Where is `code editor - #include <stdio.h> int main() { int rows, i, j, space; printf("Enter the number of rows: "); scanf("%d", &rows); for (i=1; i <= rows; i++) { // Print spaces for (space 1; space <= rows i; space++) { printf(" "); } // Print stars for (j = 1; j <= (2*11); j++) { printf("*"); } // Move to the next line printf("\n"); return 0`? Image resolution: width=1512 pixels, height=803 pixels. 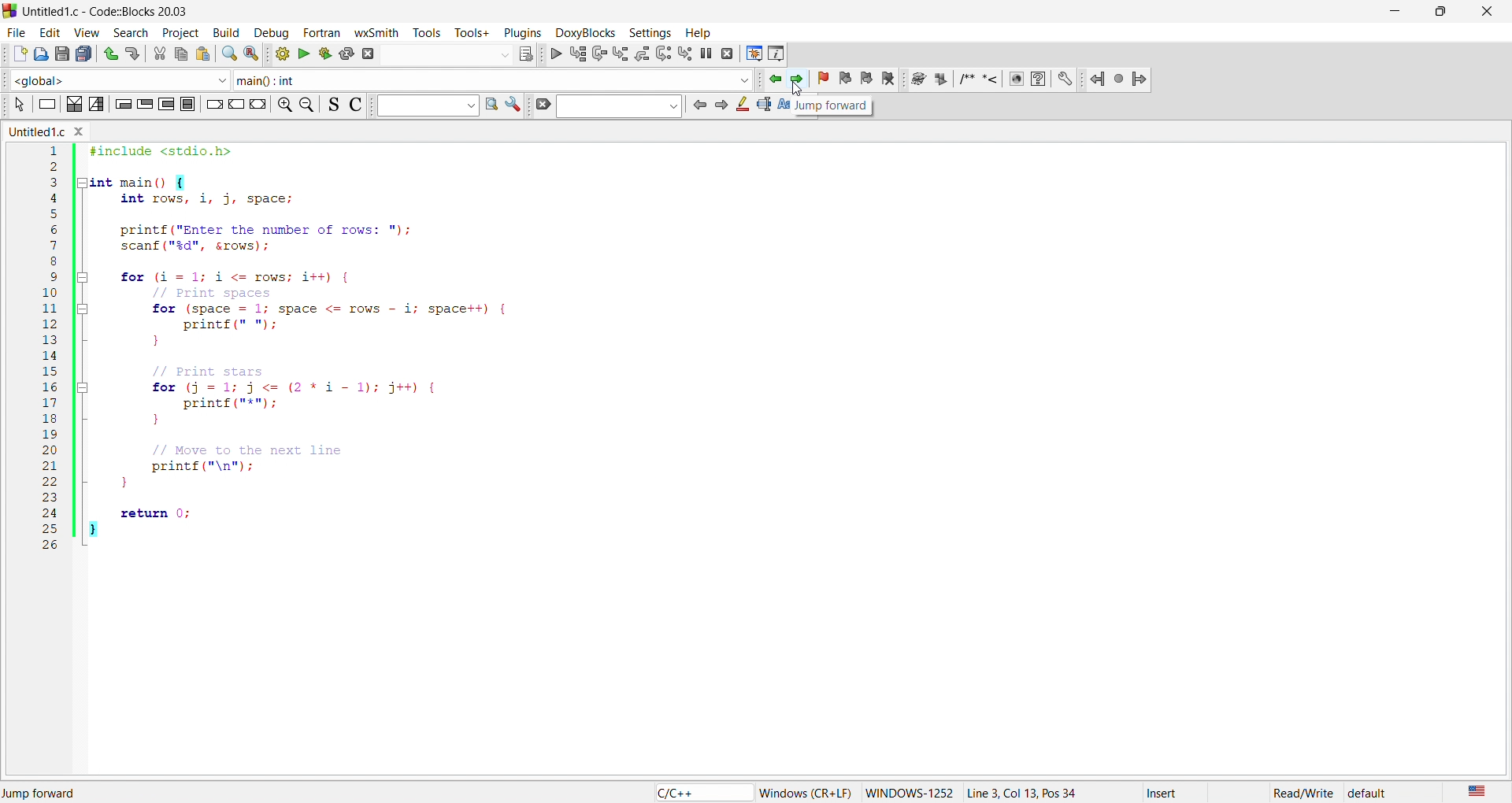
code editor - #include <stdio.h> int main() { int rows, i, j, space; printf("Enter the number of rows: "); scanf("%d", &rows); for (i=1; i <= rows; i++) { // Print spaces for (space 1; space <= rows i; space++) { printf(" "); } // Print stars for (j = 1; j <= (2*11); j++) { printf("*"); } // Move to the next line printf("\n"); return 0 is located at coordinates (762, 355).